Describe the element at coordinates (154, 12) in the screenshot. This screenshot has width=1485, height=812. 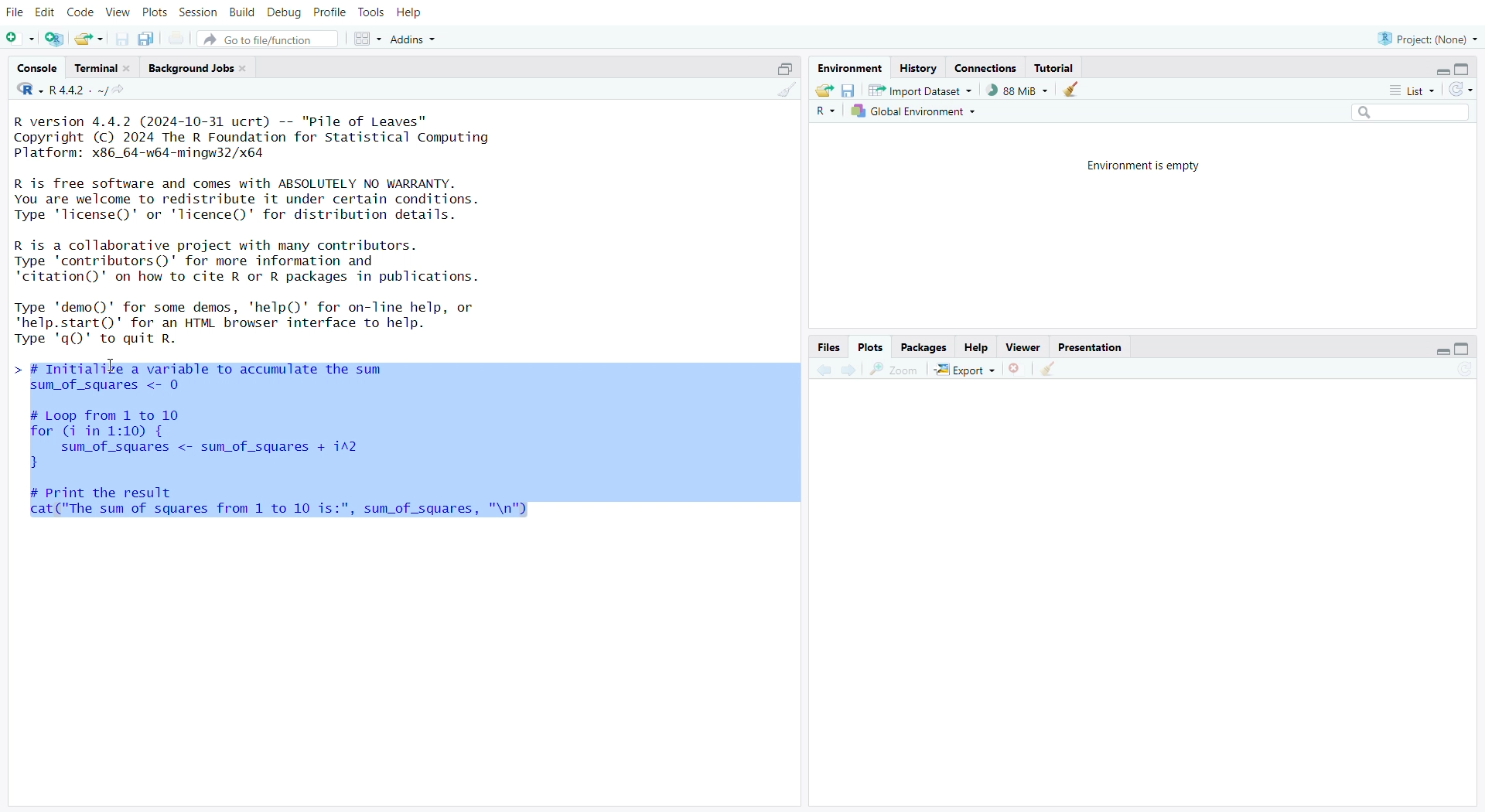
I see `plots` at that location.